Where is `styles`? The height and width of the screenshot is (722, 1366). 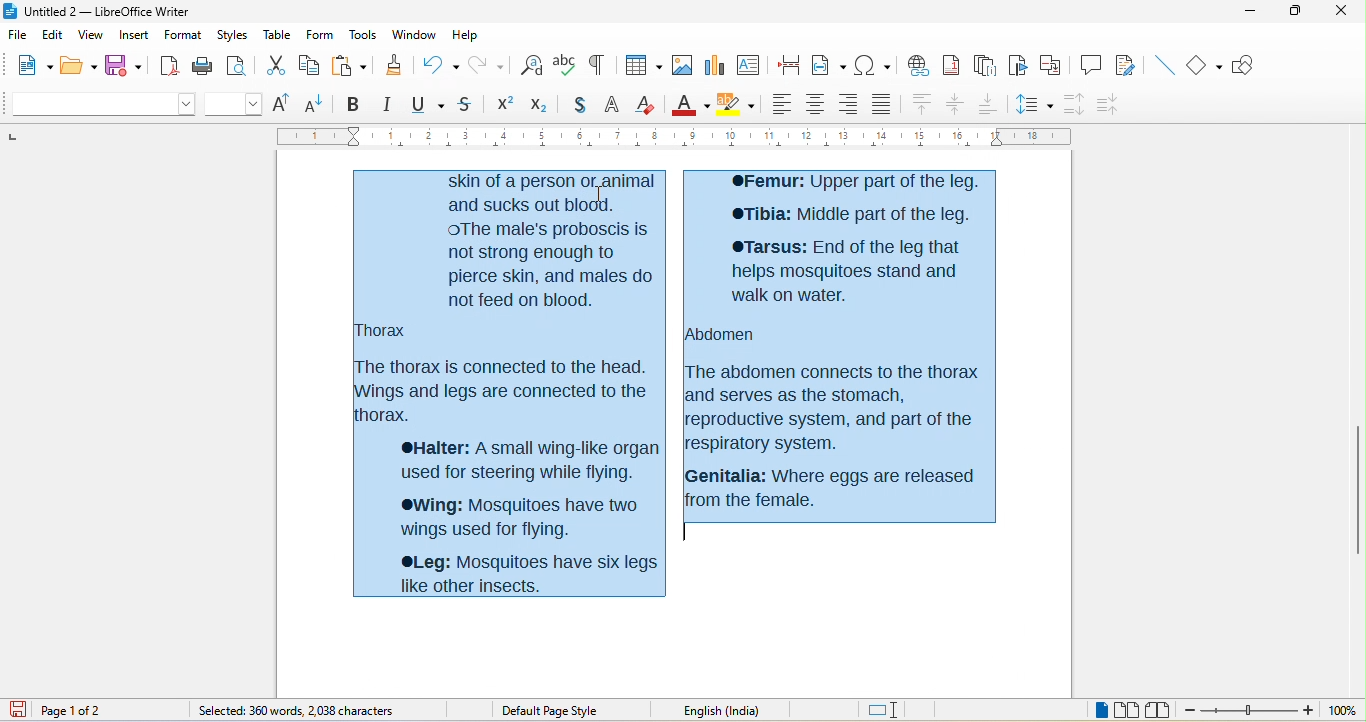 styles is located at coordinates (233, 34).